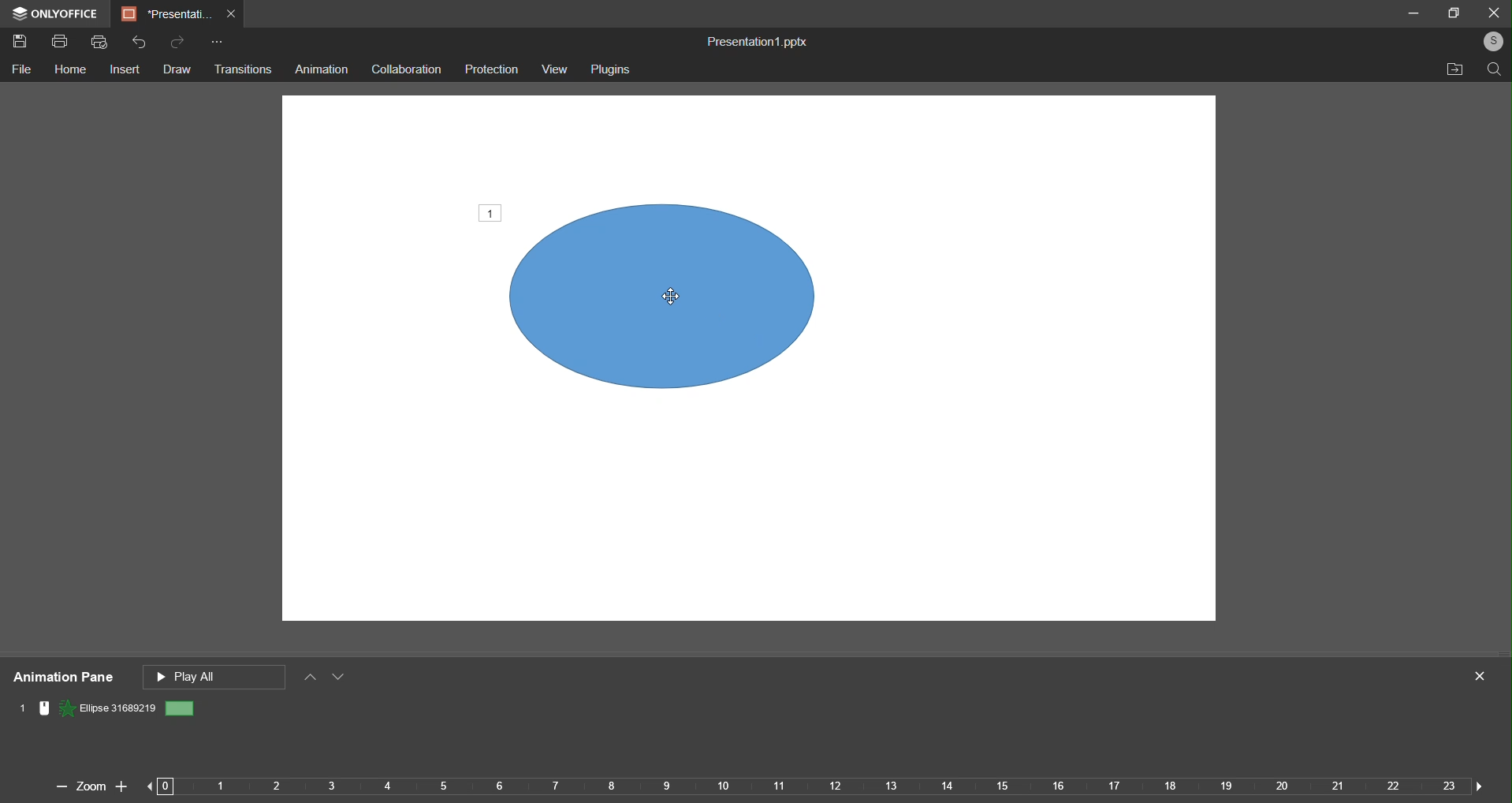 Image resolution: width=1512 pixels, height=803 pixels. I want to click on animation, so click(322, 70).